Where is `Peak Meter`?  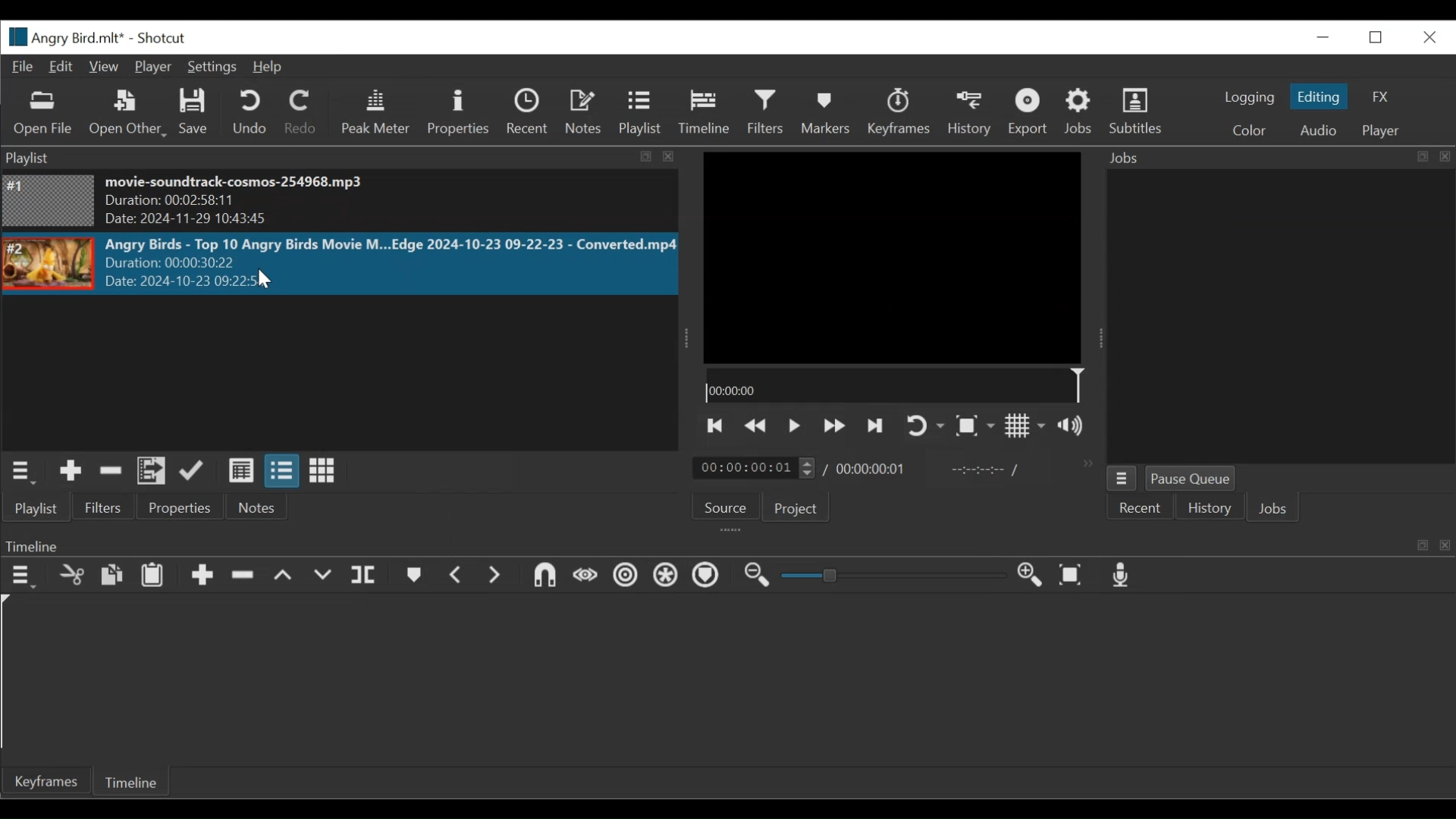 Peak Meter is located at coordinates (375, 114).